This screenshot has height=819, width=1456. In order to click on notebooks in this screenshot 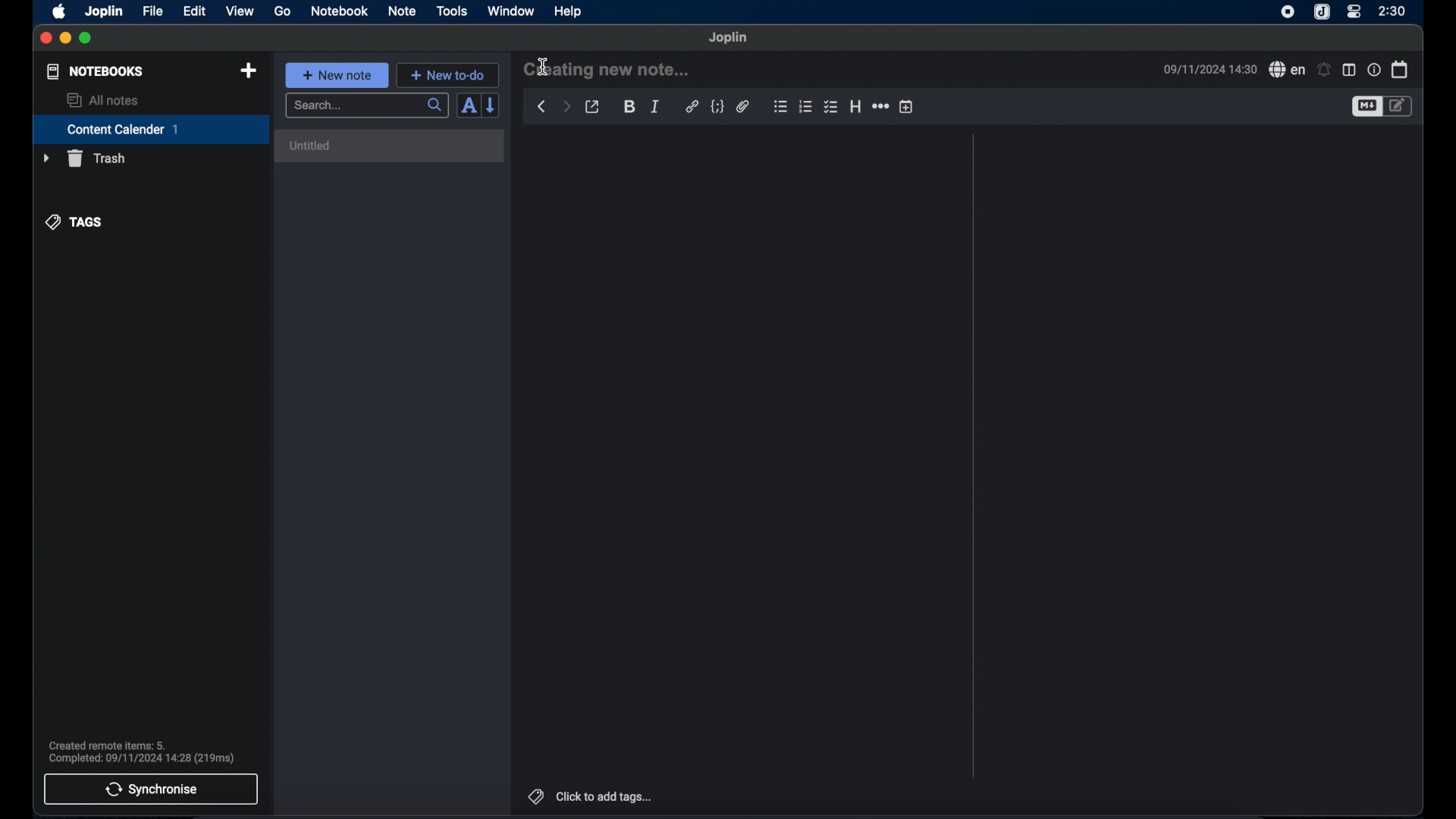, I will do `click(96, 71)`.